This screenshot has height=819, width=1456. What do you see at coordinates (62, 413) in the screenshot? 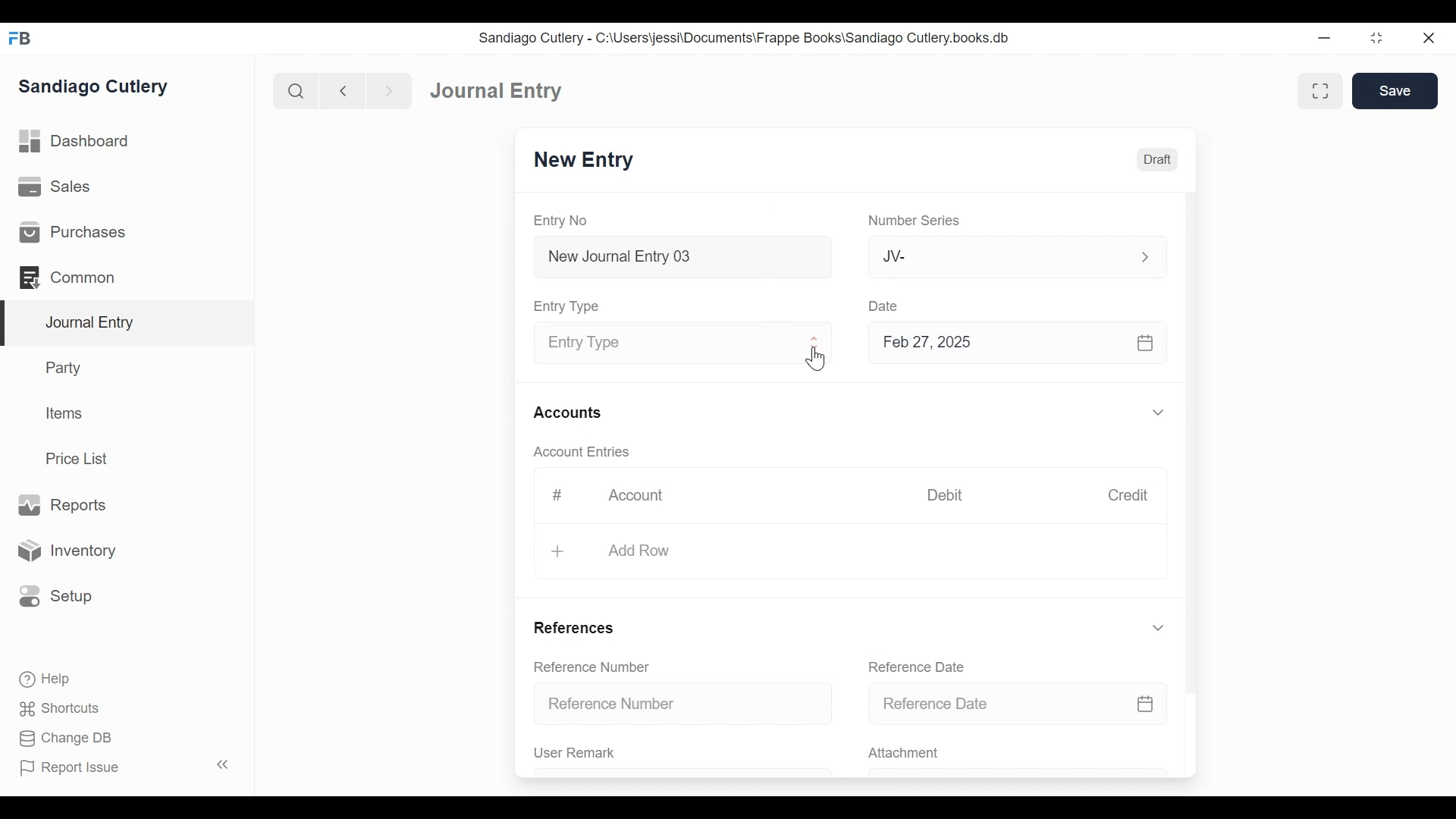
I see `Items` at bounding box center [62, 413].